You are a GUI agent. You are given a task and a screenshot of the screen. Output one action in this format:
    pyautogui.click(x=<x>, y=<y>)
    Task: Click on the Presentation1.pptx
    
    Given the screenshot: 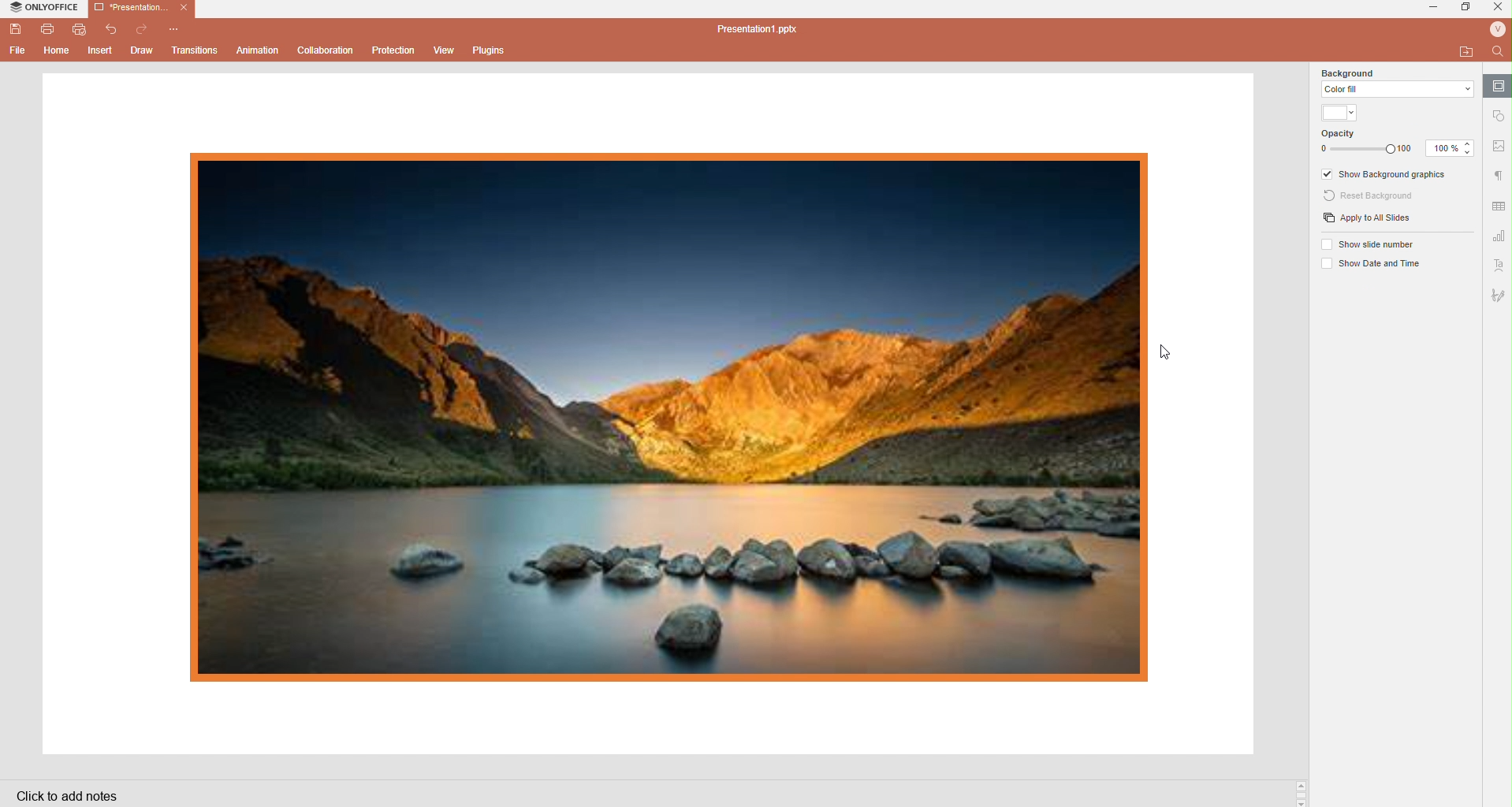 What is the action you would take?
    pyautogui.click(x=760, y=29)
    